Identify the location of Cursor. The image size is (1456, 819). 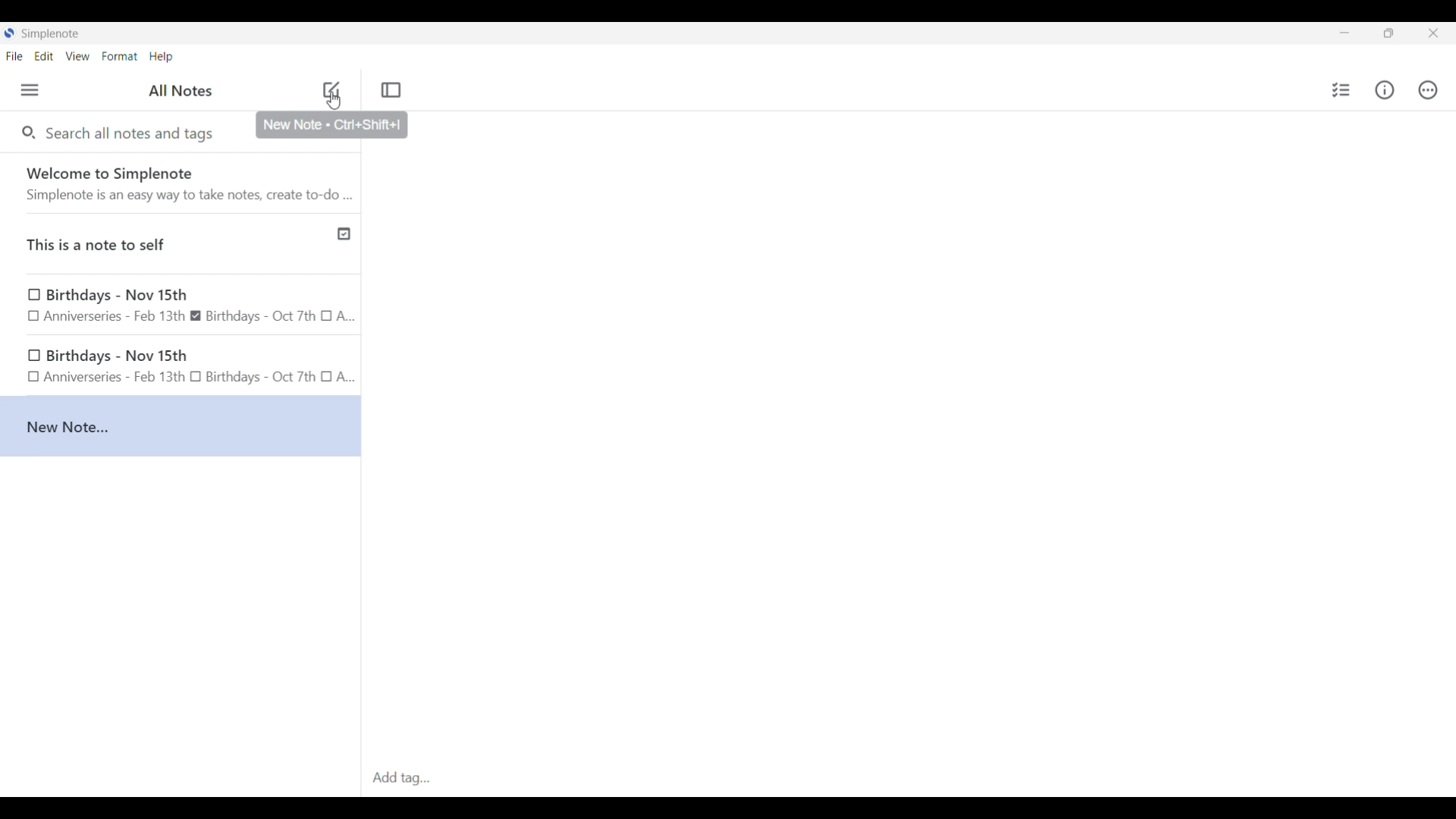
(334, 101).